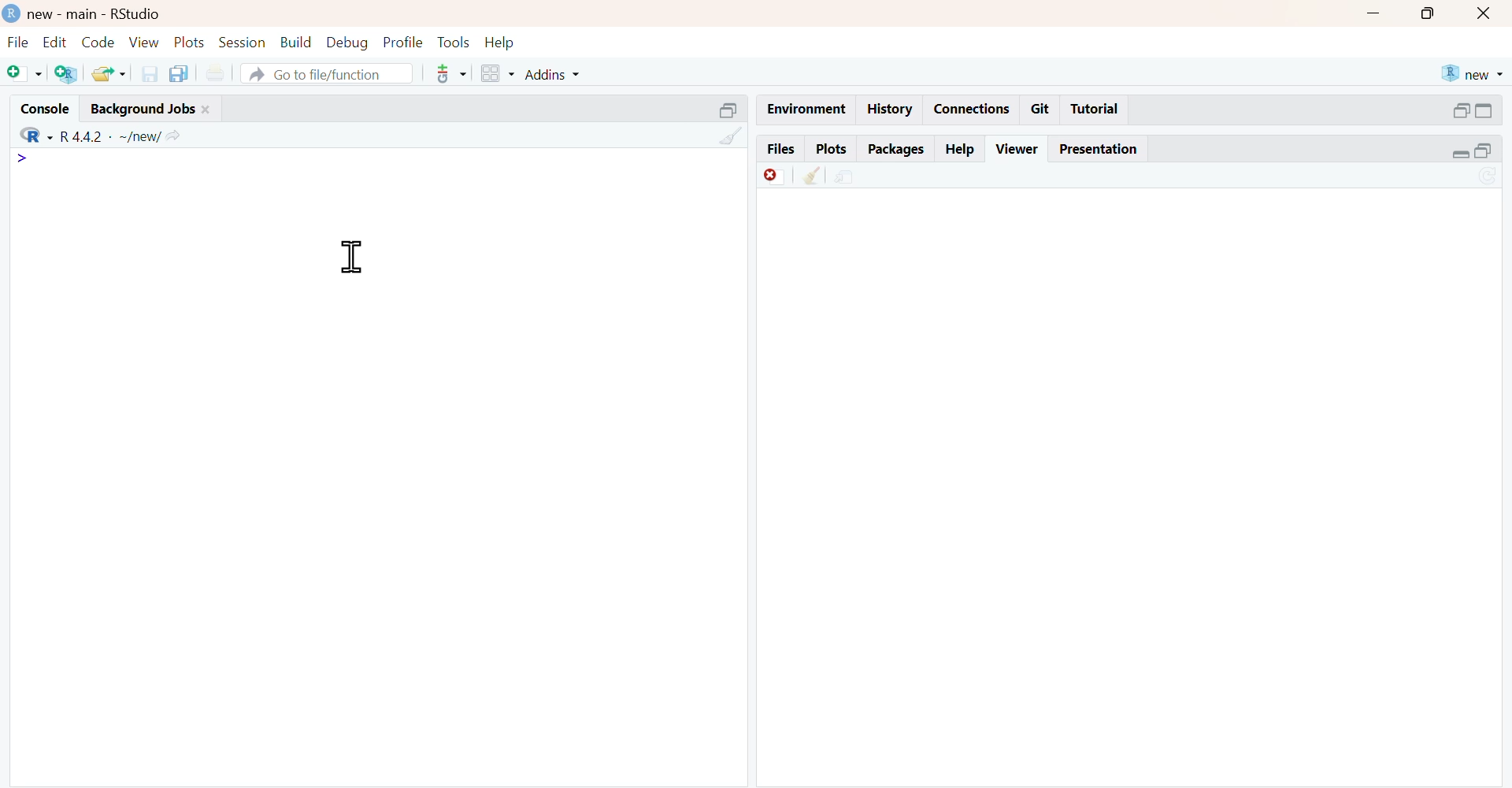  Describe the element at coordinates (961, 151) in the screenshot. I see `help` at that location.